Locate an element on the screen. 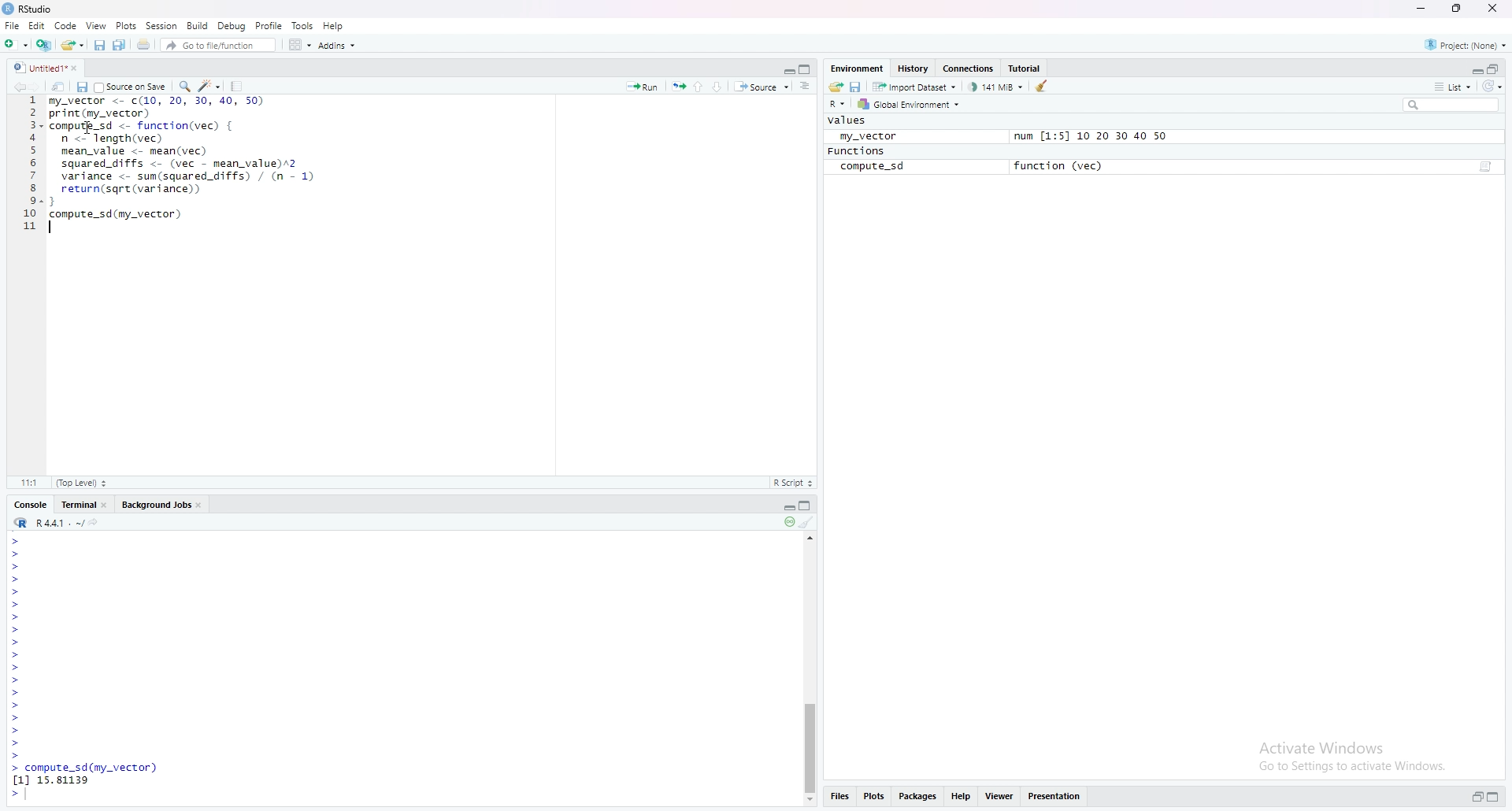 The width and height of the screenshot is (1512, 811). Maximize/Restore is located at coordinates (806, 68).